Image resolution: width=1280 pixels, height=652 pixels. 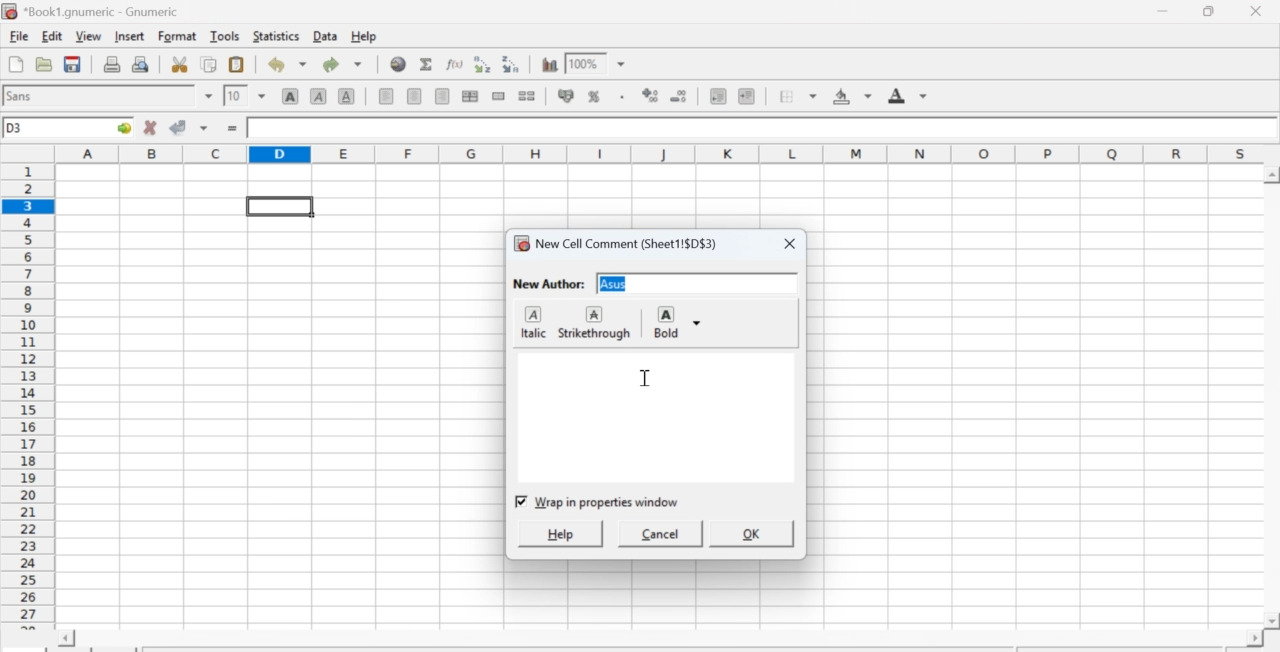 What do you see at coordinates (1257, 12) in the screenshot?
I see `Close` at bounding box center [1257, 12].